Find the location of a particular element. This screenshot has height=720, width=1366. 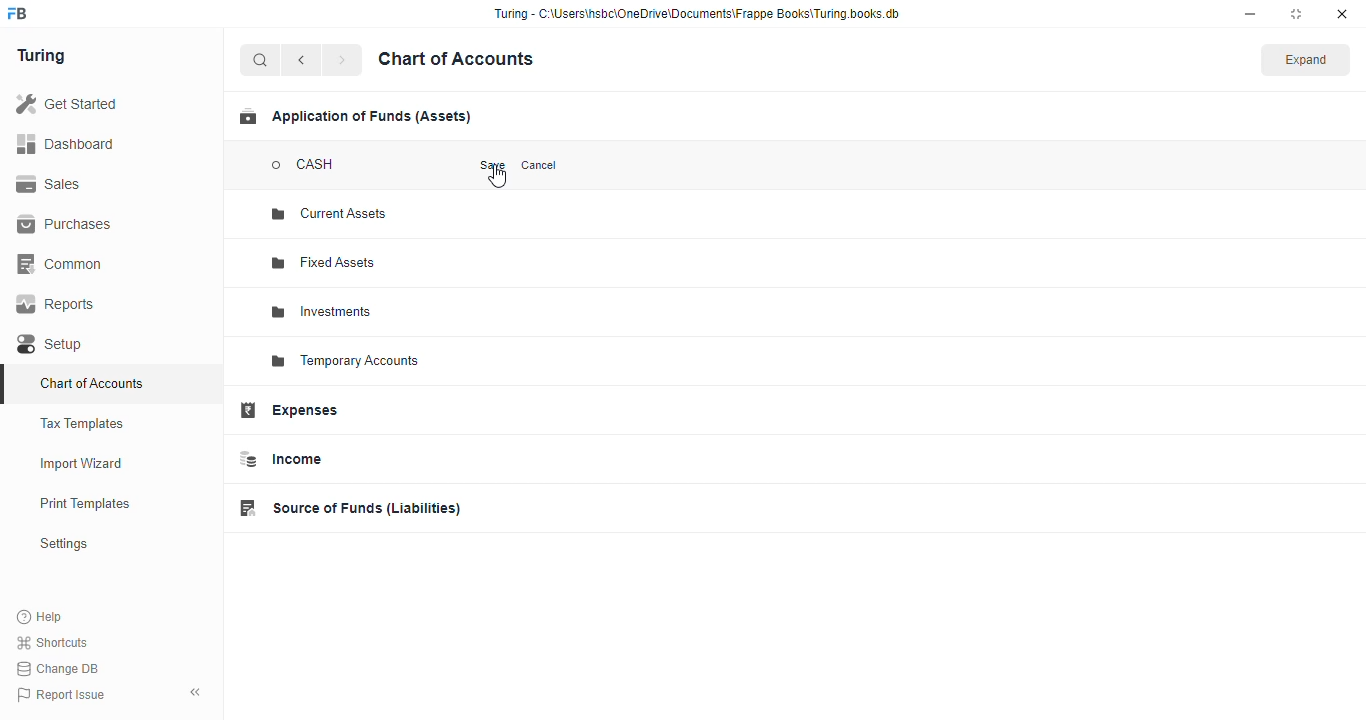

settings is located at coordinates (63, 543).